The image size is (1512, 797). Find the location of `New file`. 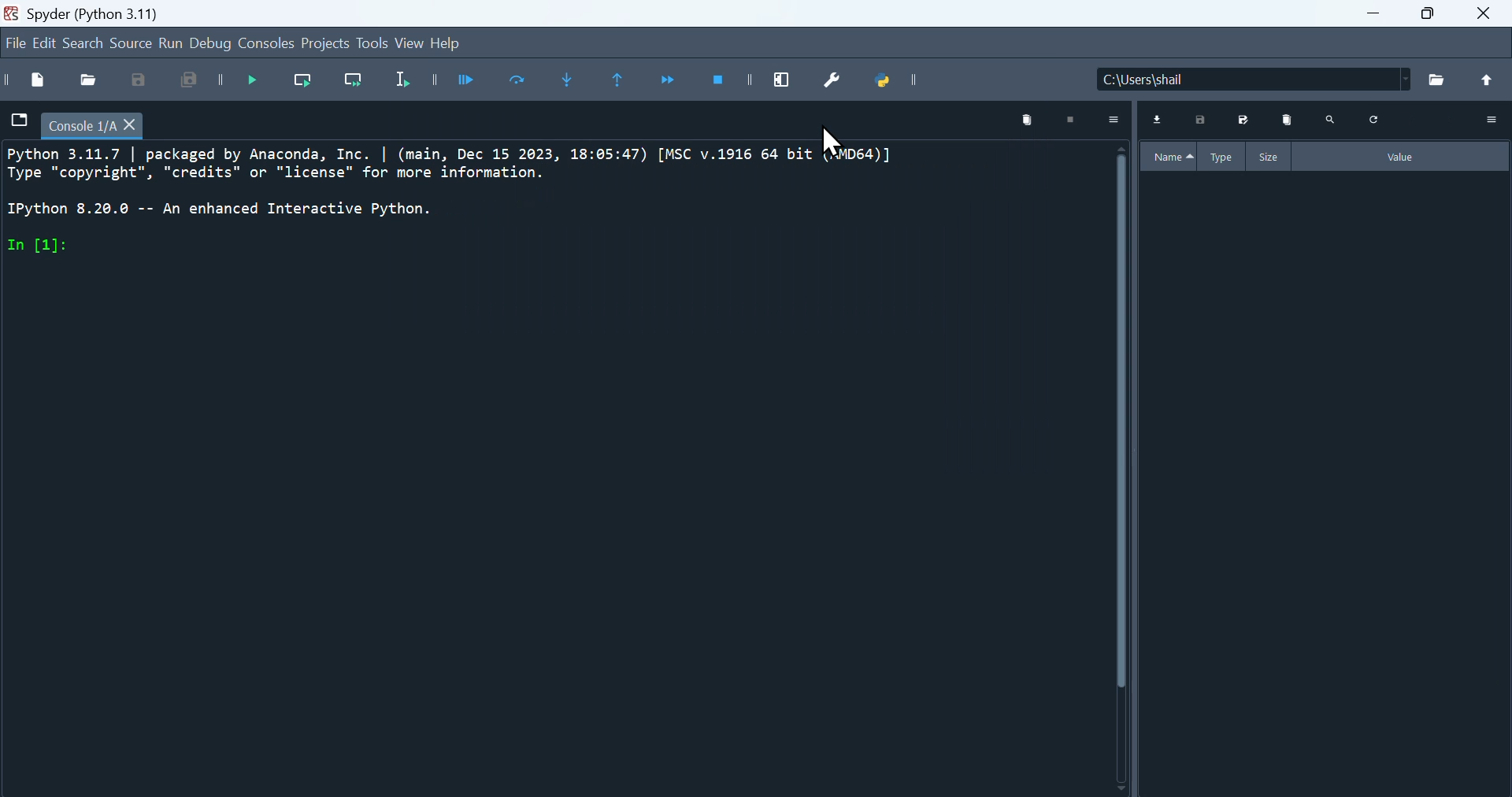

New file is located at coordinates (28, 80).